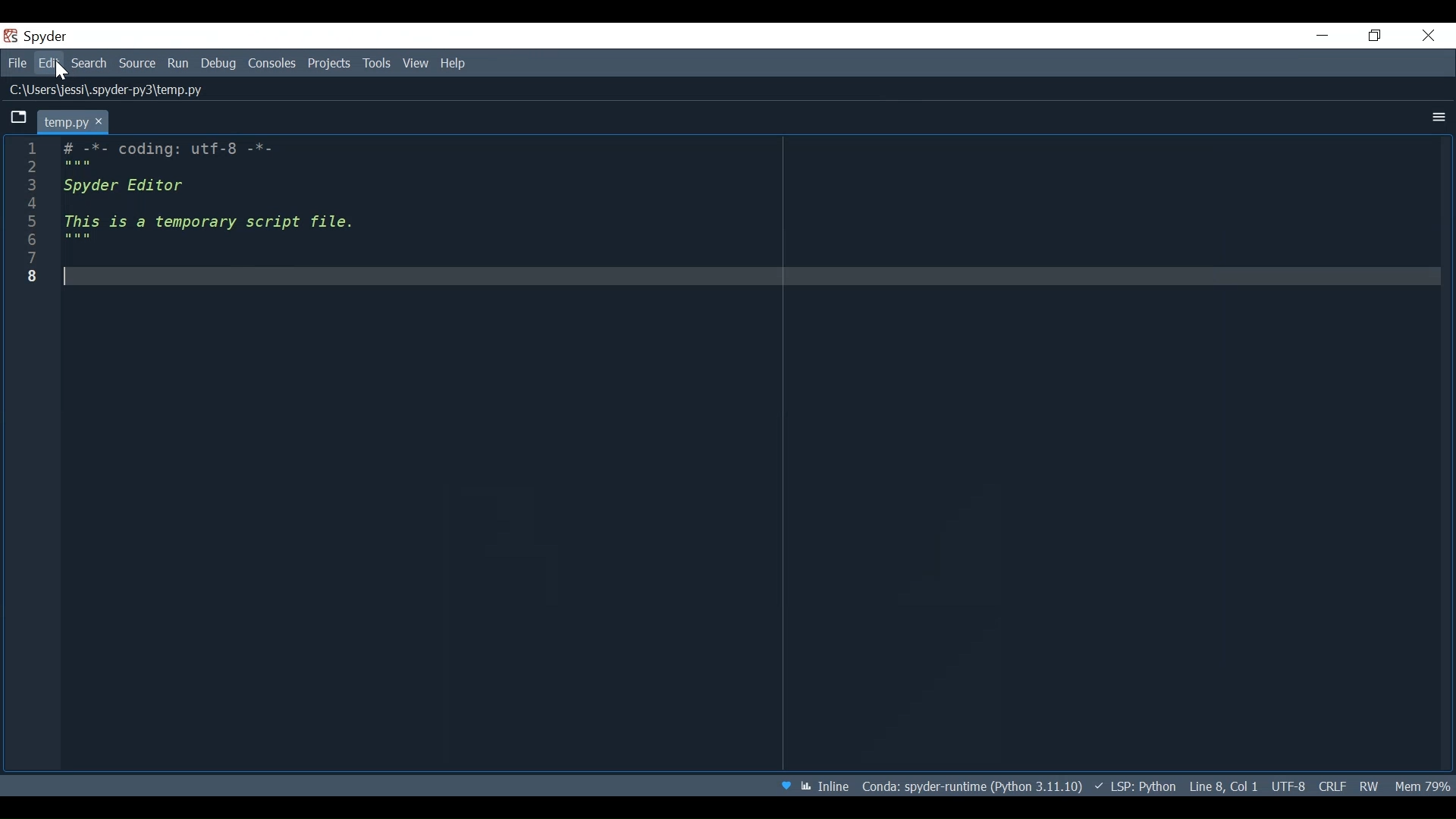 The image size is (1456, 819). I want to click on Conda Environment Indicator, so click(971, 786).